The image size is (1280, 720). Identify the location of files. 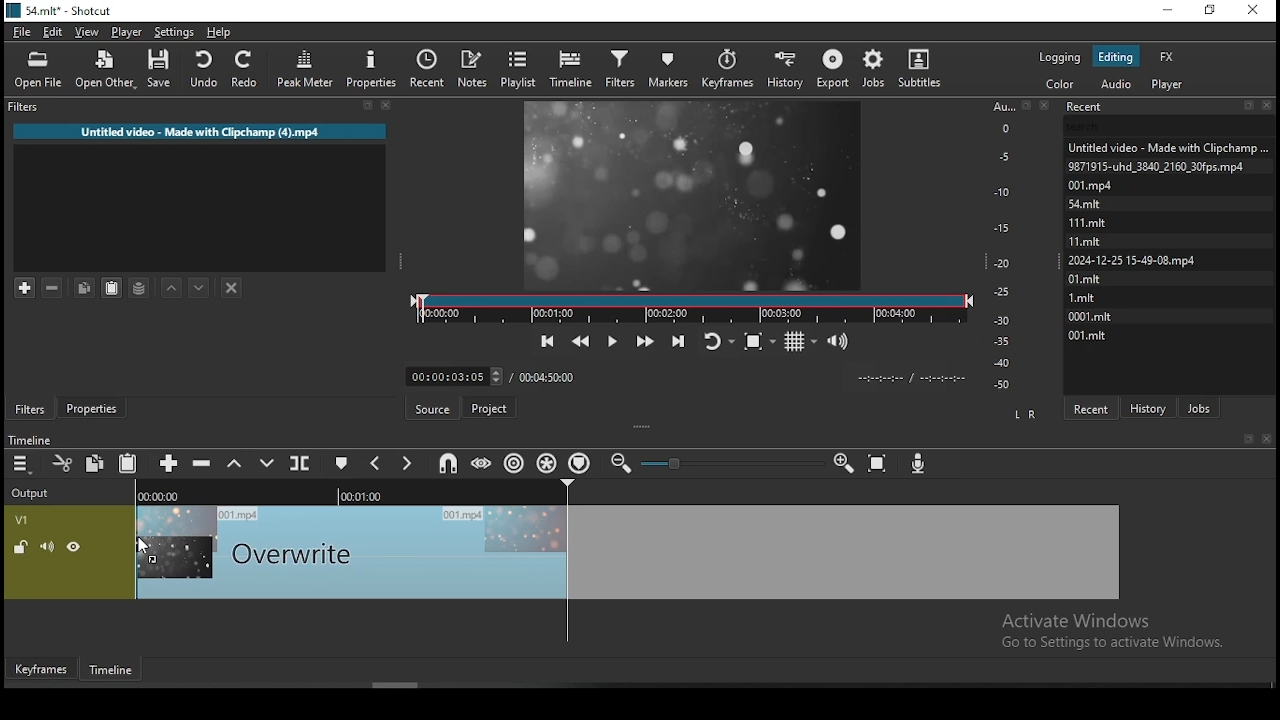
(1081, 297).